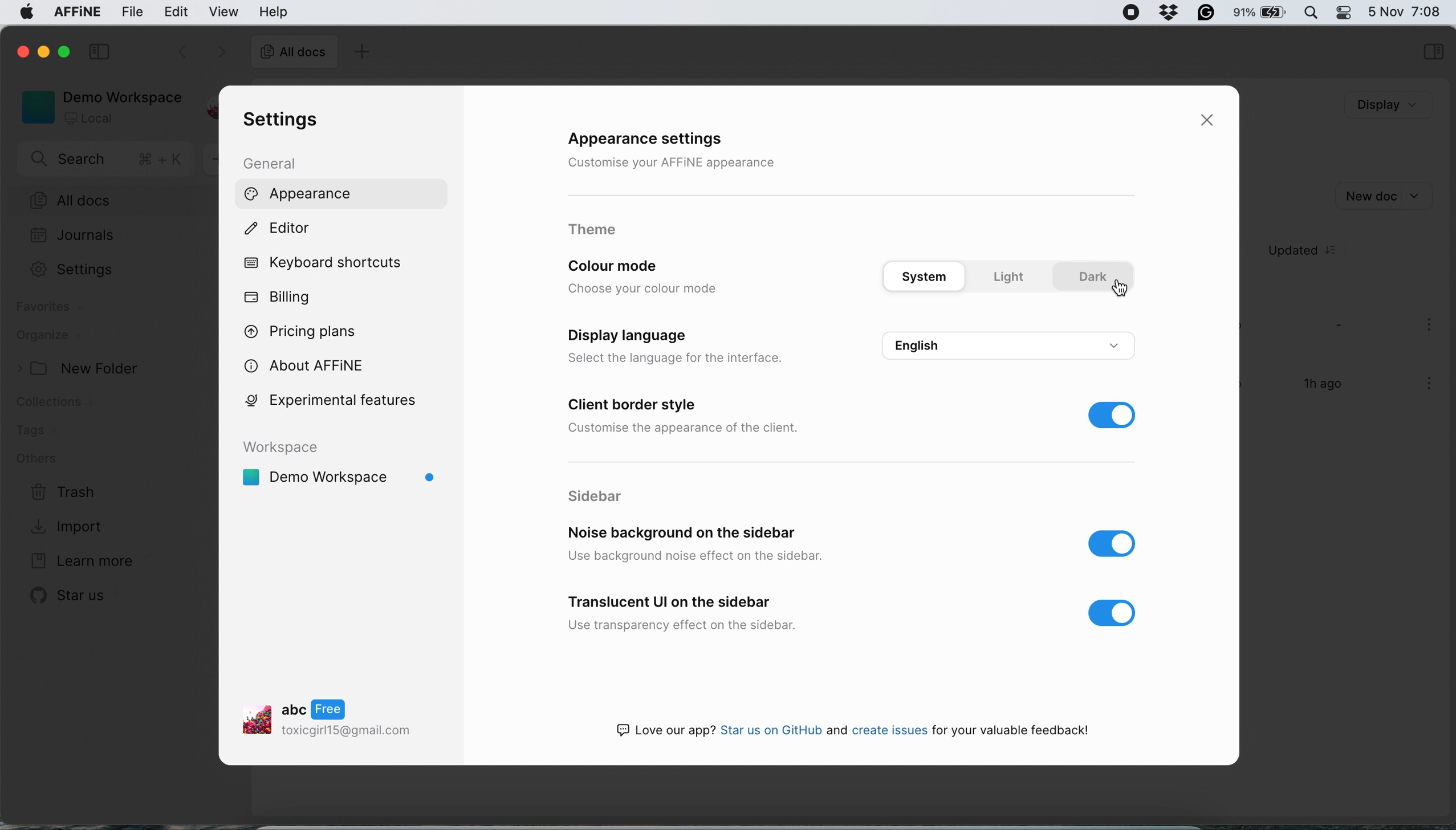 This screenshot has width=1456, height=830. I want to click on favorites, so click(48, 309).